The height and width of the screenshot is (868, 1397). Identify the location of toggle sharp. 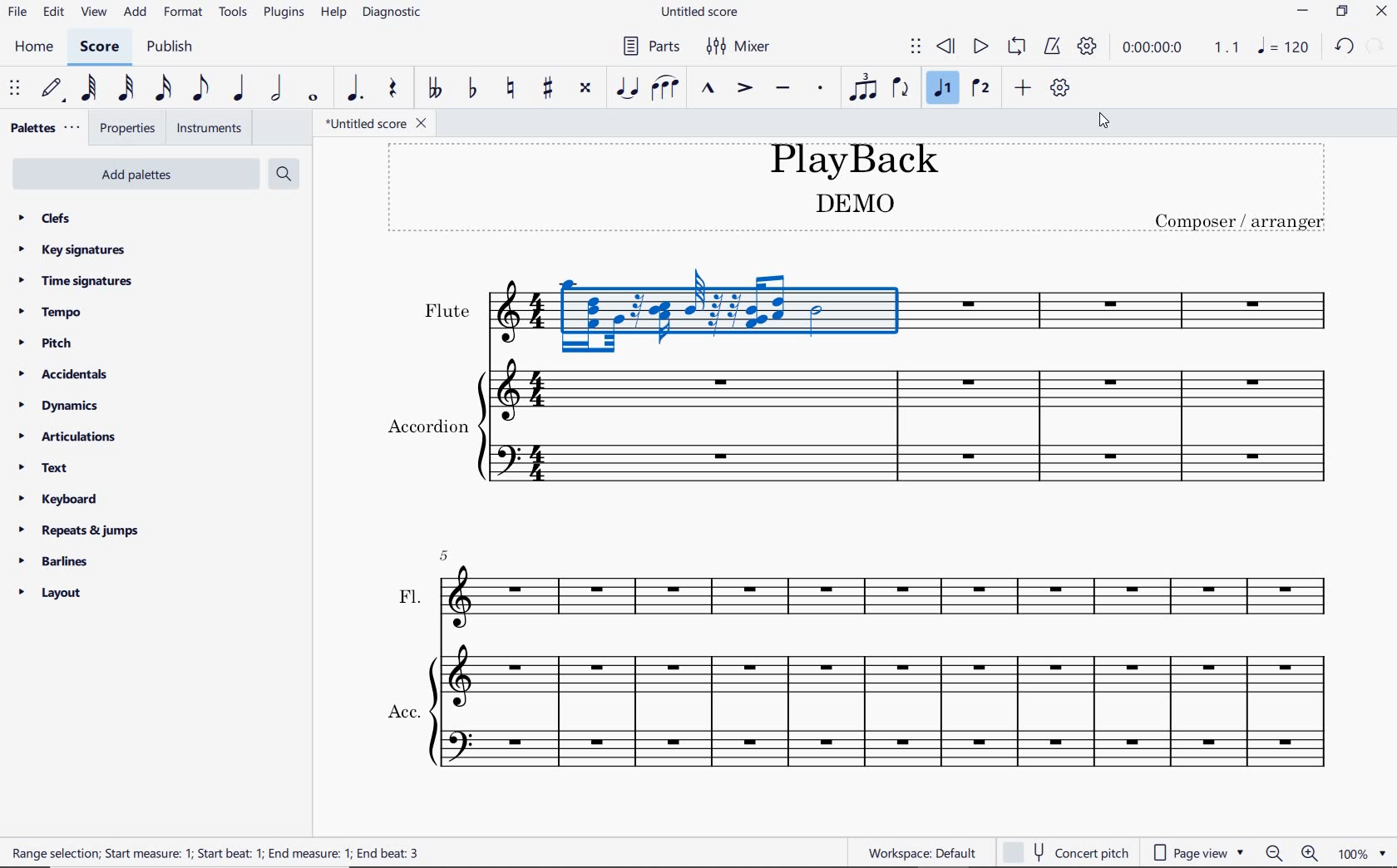
(545, 87).